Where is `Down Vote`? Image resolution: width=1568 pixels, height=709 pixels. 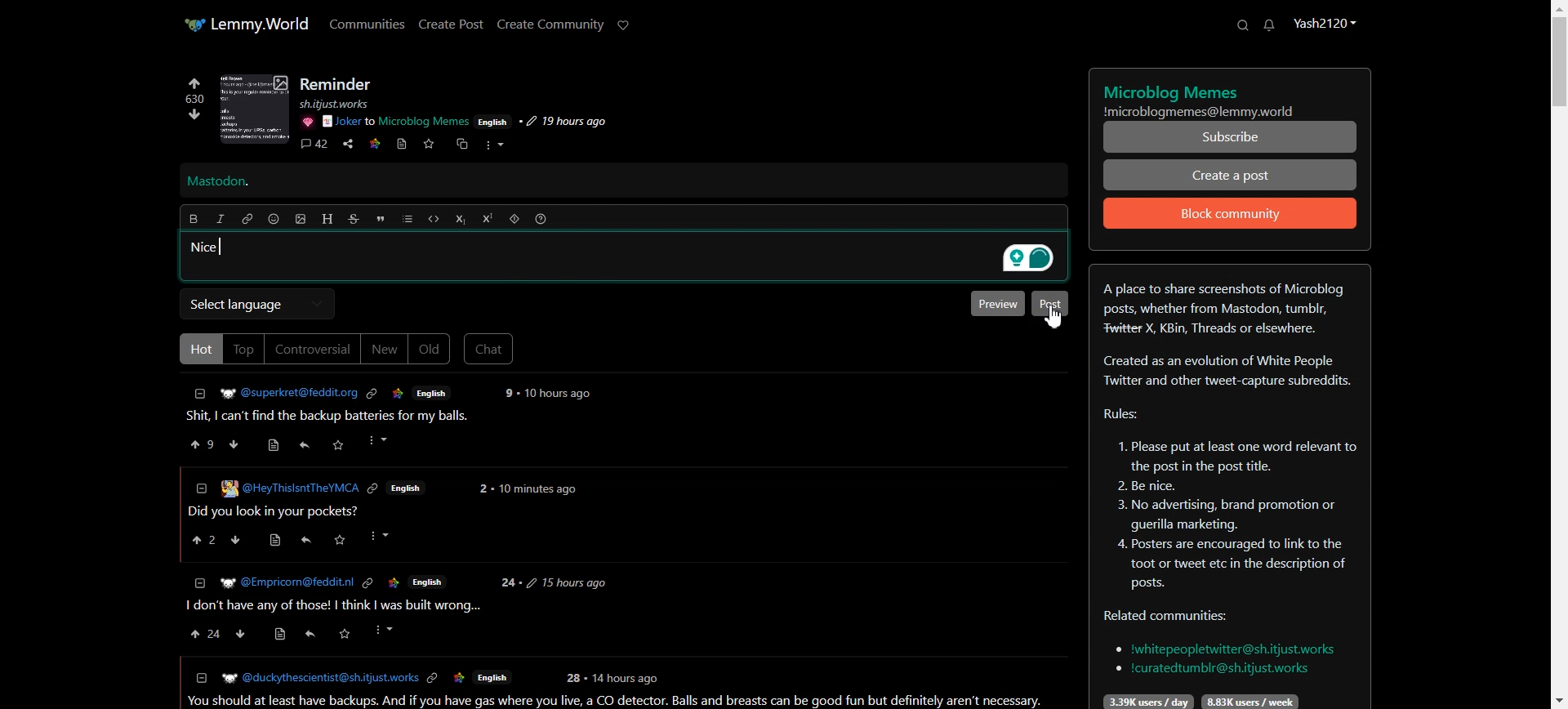 Down Vote is located at coordinates (234, 444).